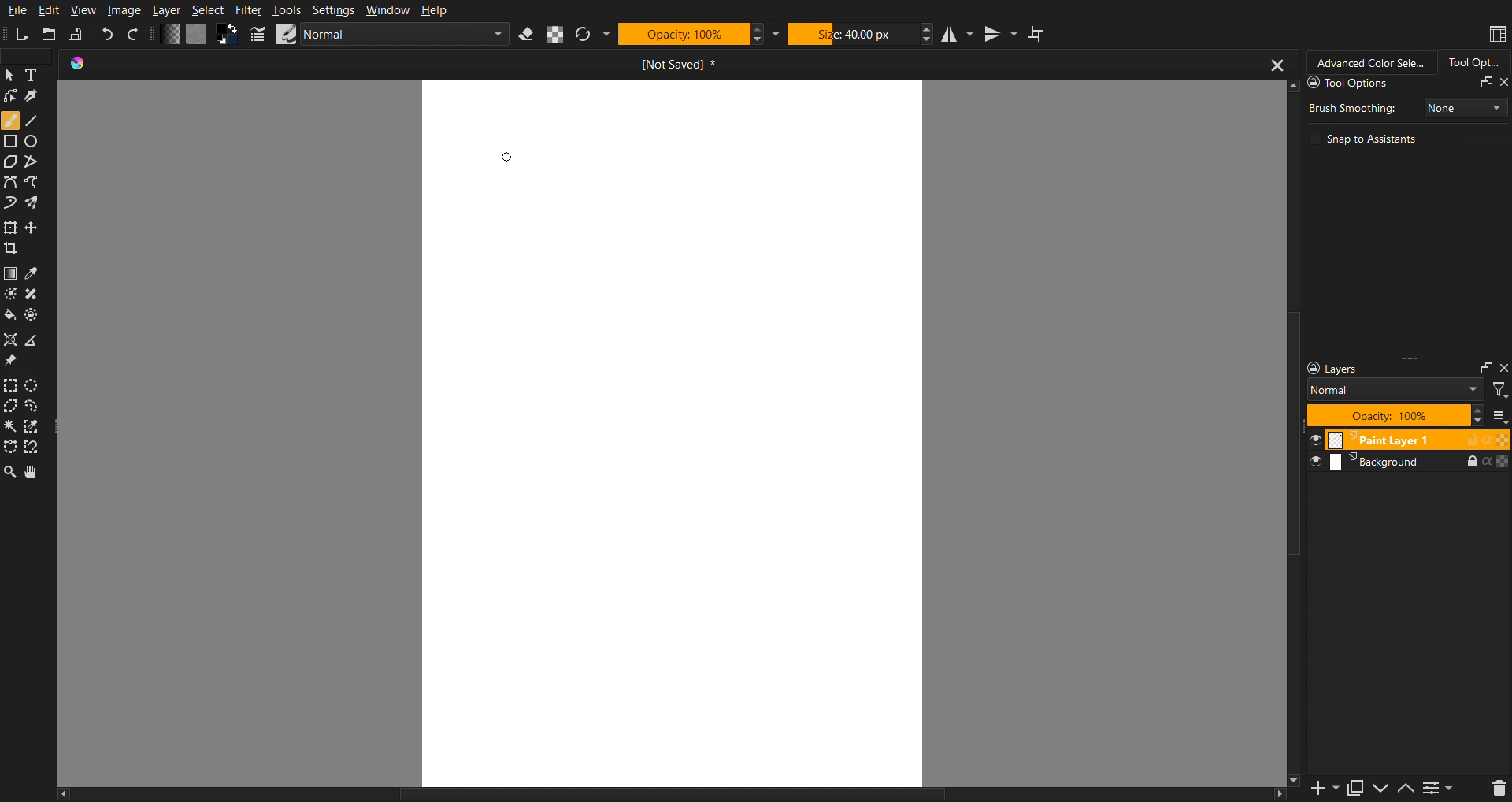 Image resolution: width=1512 pixels, height=802 pixels. What do you see at coordinates (1500, 391) in the screenshot?
I see `Filter` at bounding box center [1500, 391].